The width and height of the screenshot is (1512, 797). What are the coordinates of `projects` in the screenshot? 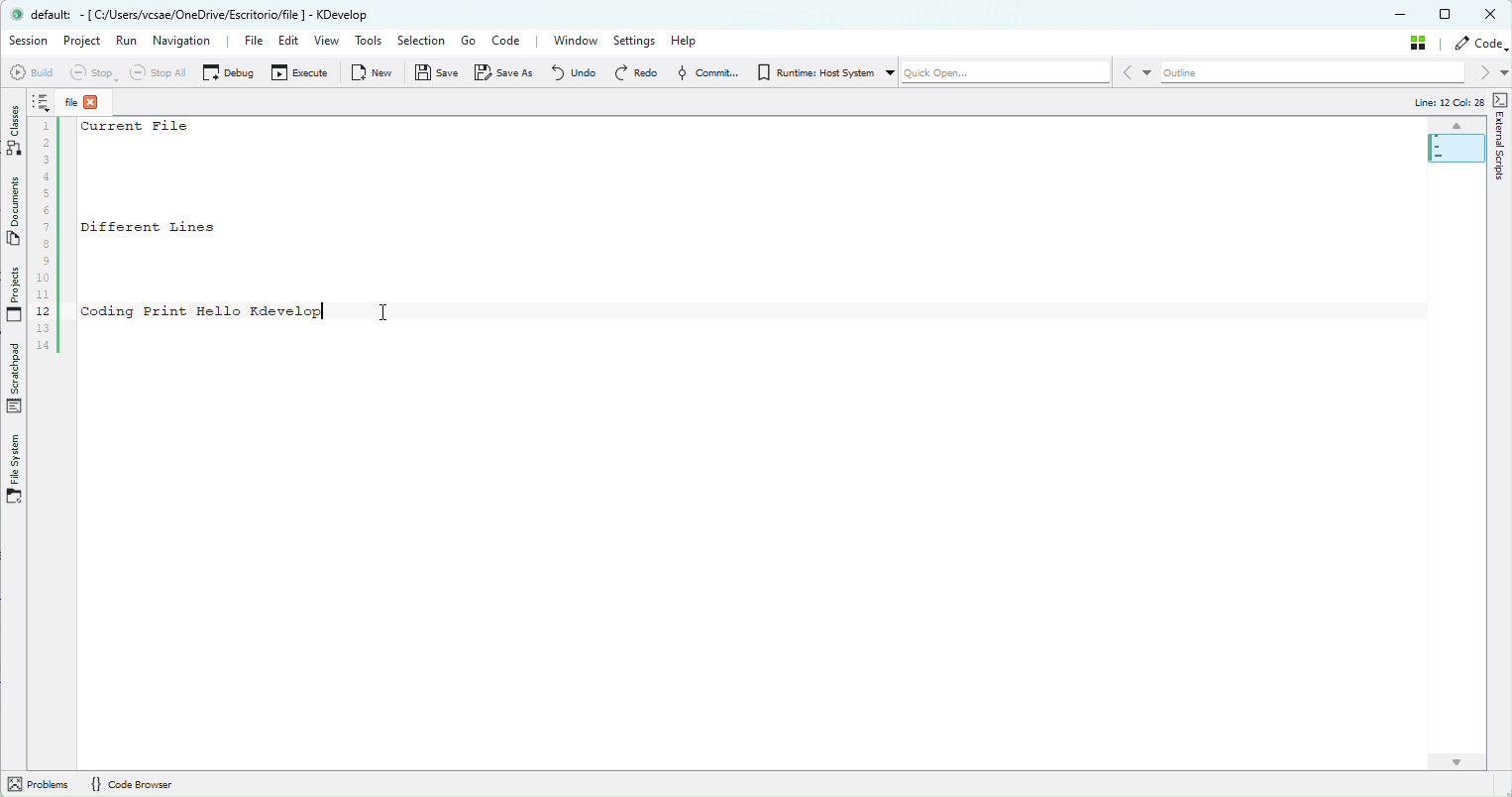 It's located at (15, 292).